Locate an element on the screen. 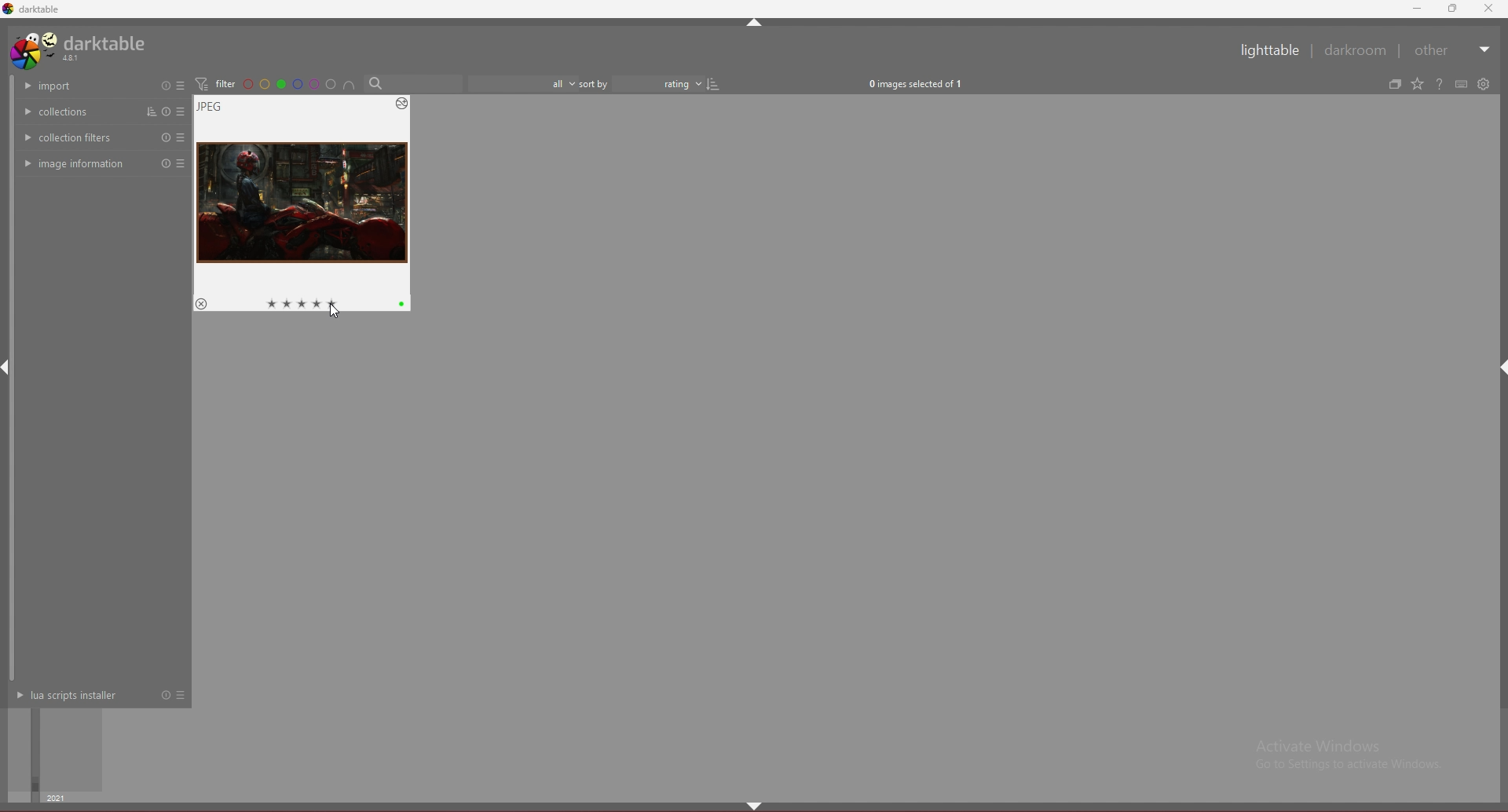 The image size is (1508, 812). presets is located at coordinates (183, 697).